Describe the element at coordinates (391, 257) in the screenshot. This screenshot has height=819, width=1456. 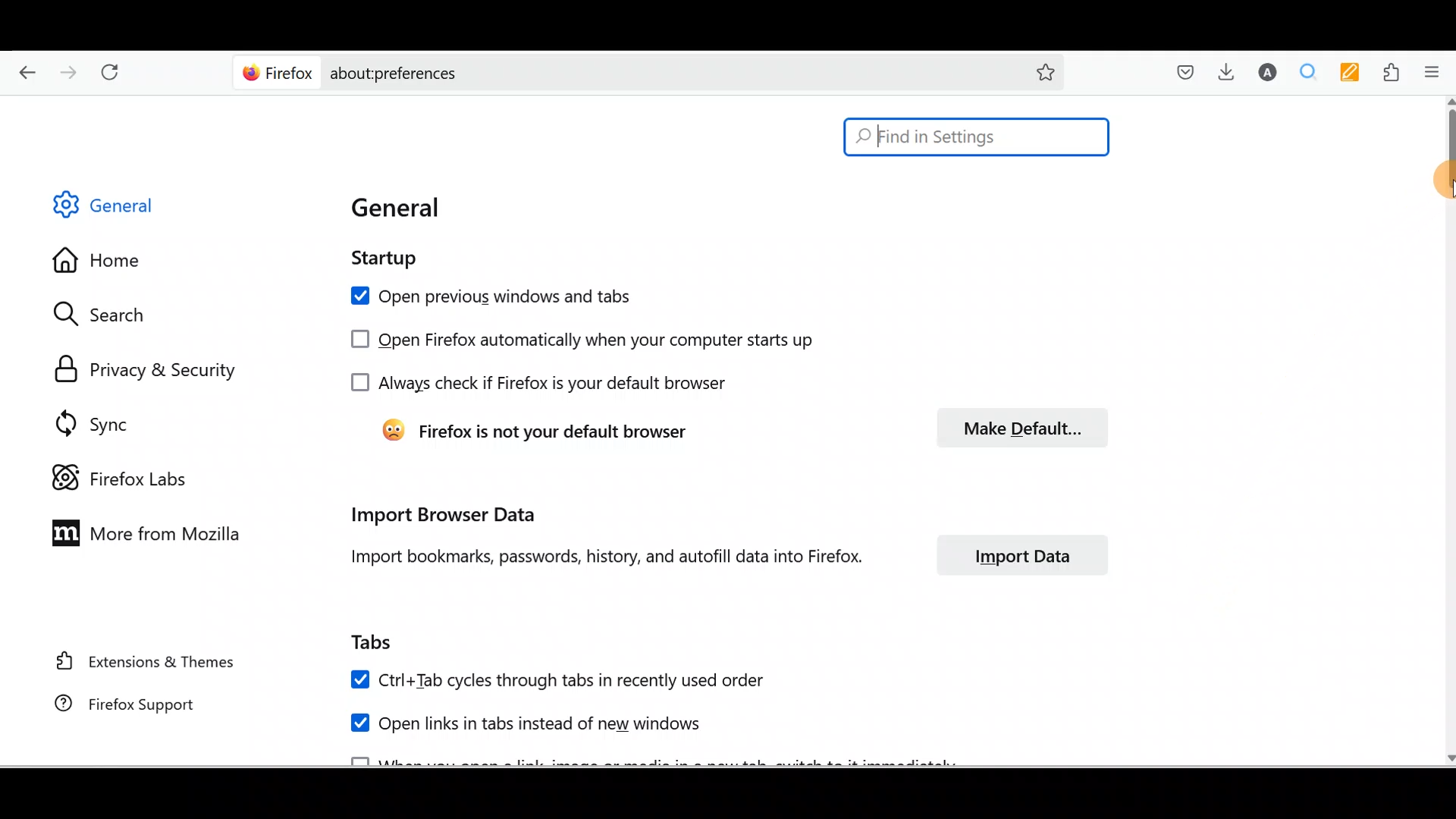
I see `Startup` at that location.